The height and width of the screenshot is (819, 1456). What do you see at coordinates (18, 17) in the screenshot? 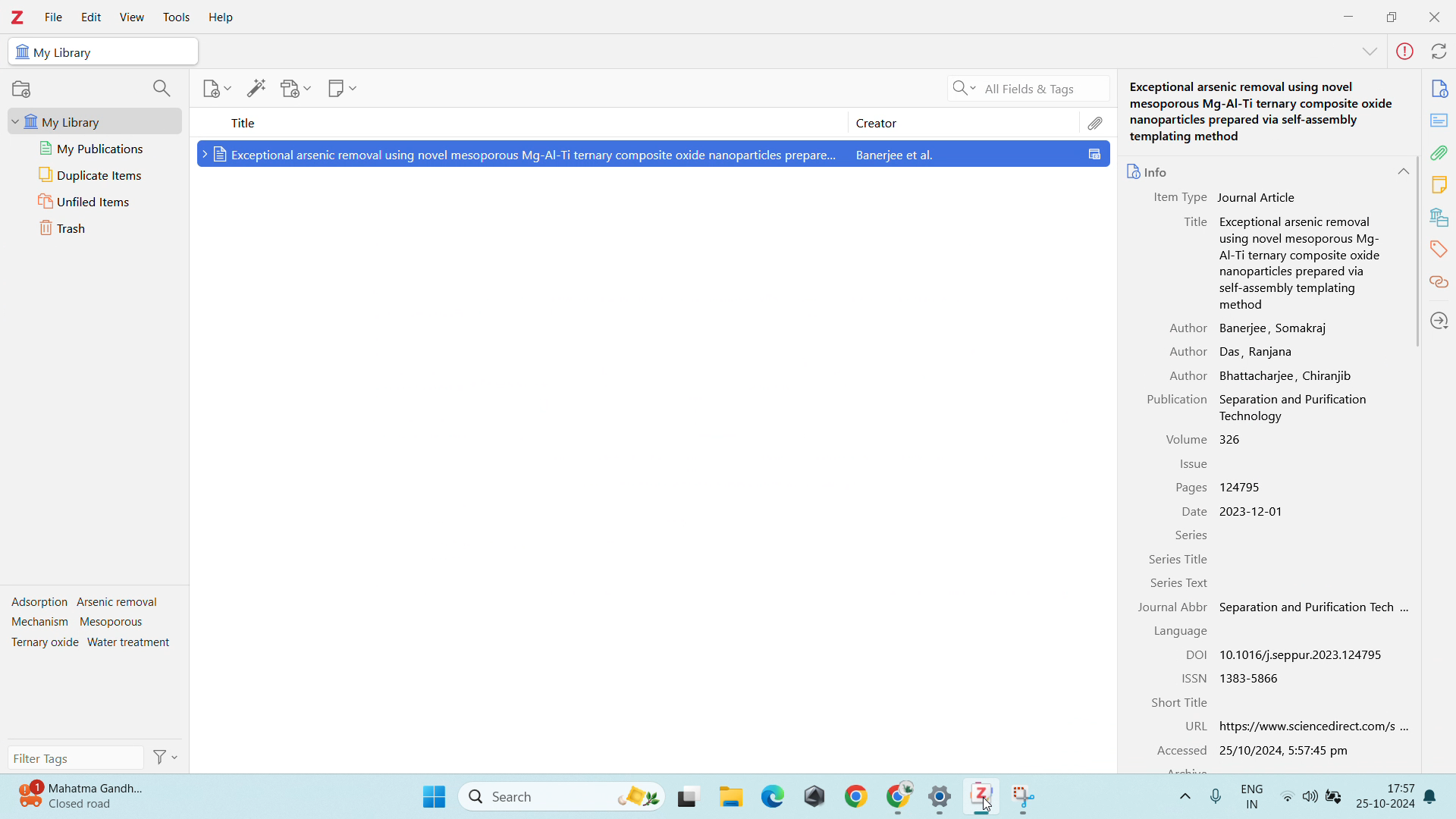
I see `logo` at bounding box center [18, 17].